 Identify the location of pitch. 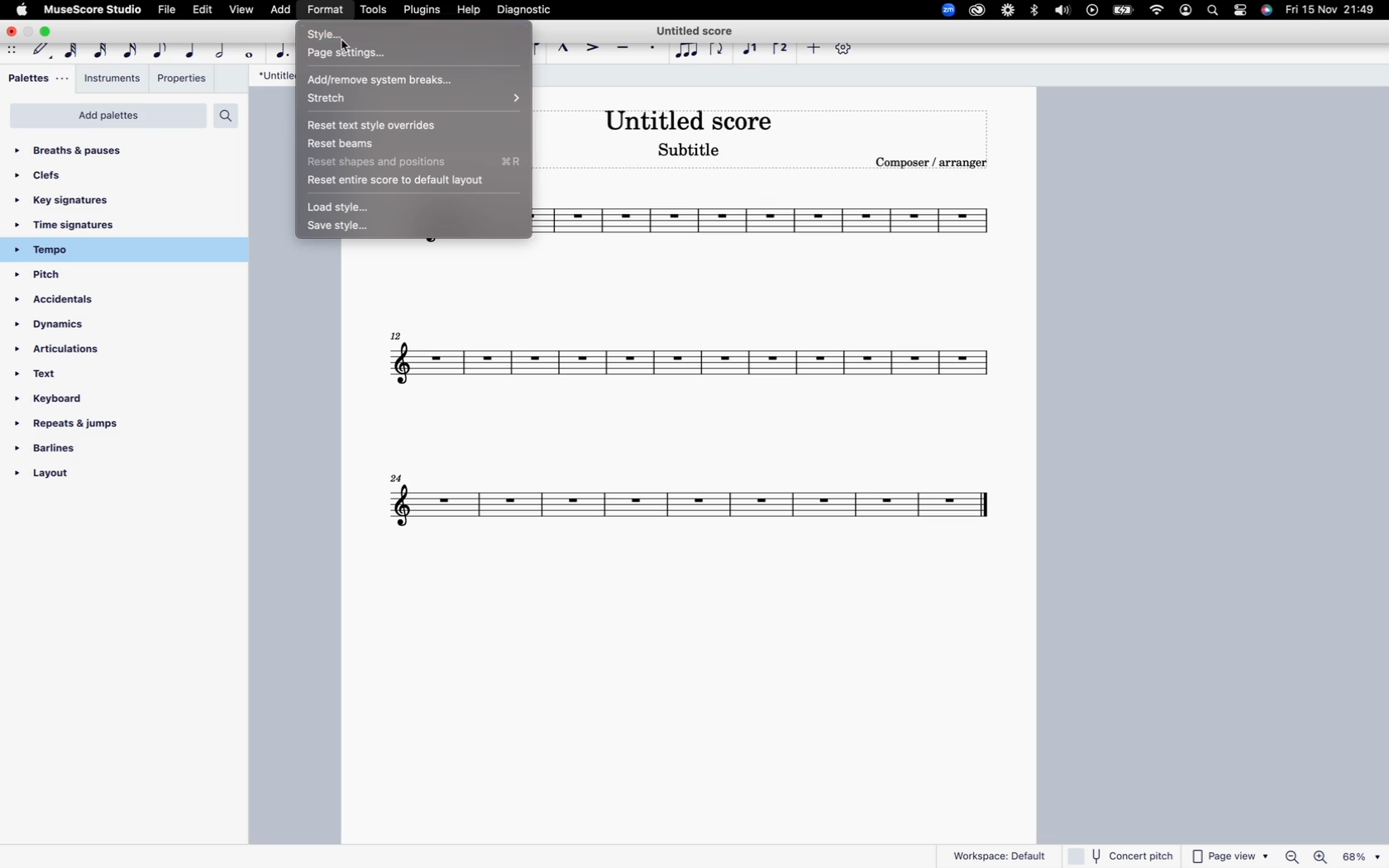
(69, 276).